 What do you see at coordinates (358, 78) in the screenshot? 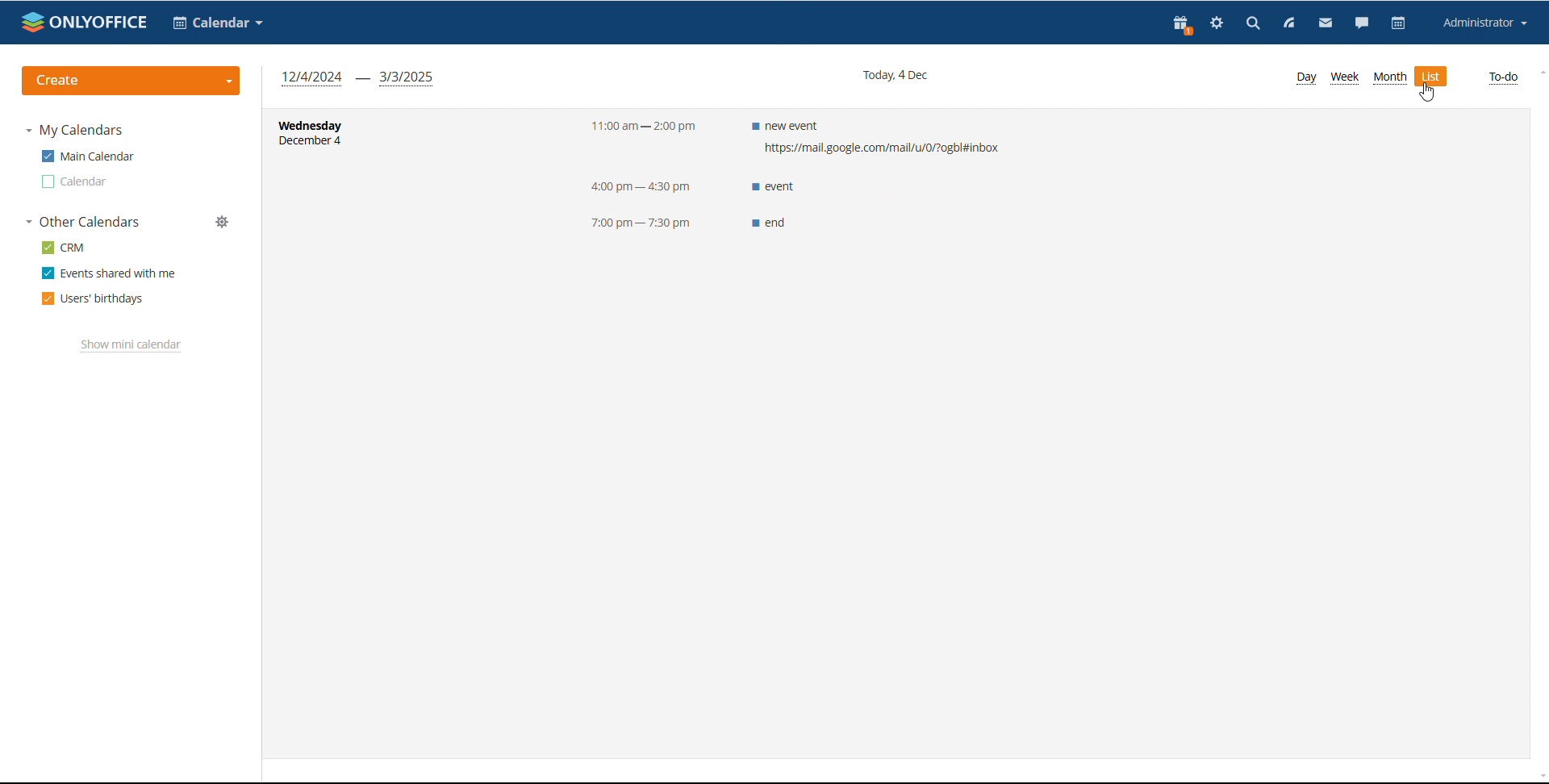
I see `span of 3 months` at bounding box center [358, 78].